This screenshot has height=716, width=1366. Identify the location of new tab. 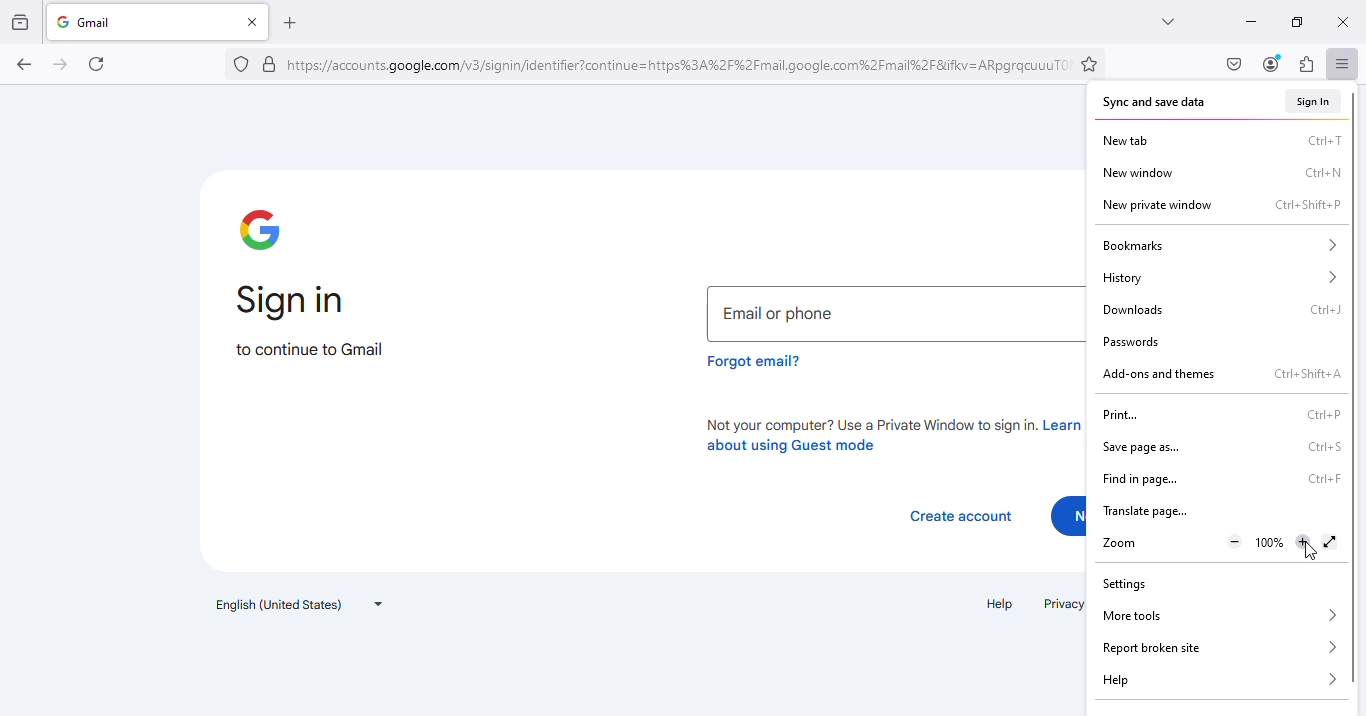
(1125, 140).